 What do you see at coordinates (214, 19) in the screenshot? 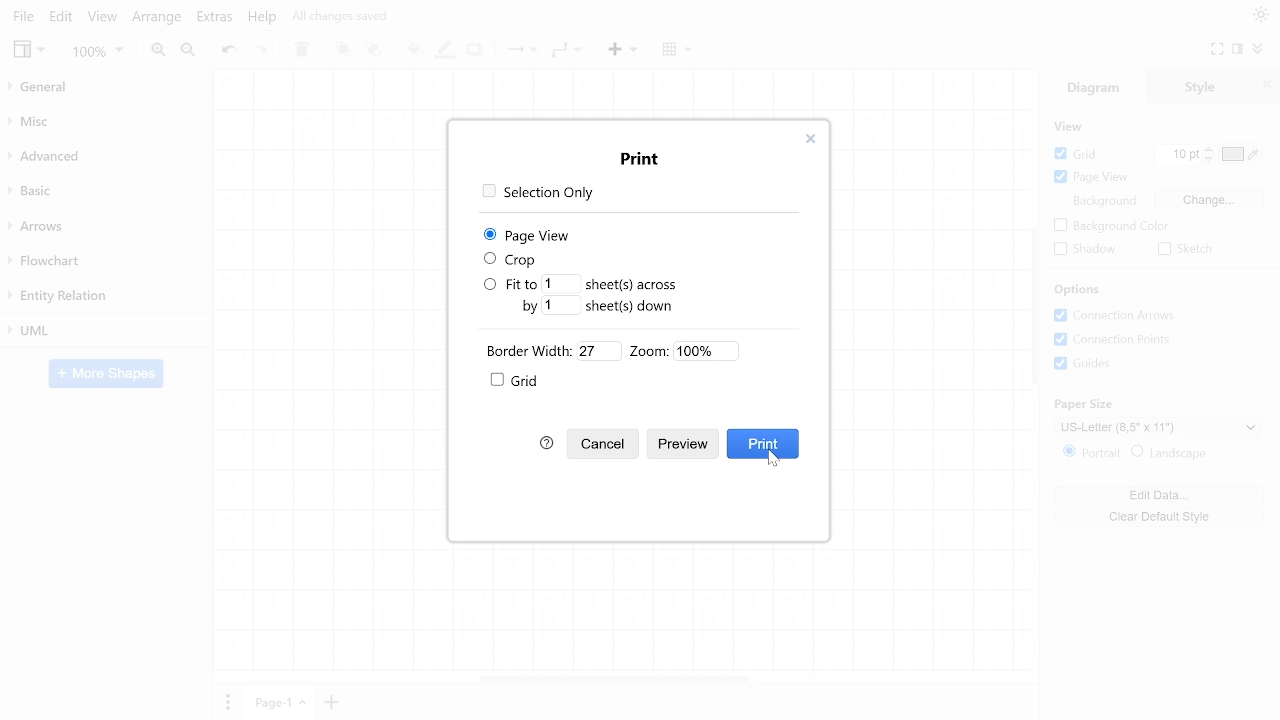
I see `Extras` at bounding box center [214, 19].